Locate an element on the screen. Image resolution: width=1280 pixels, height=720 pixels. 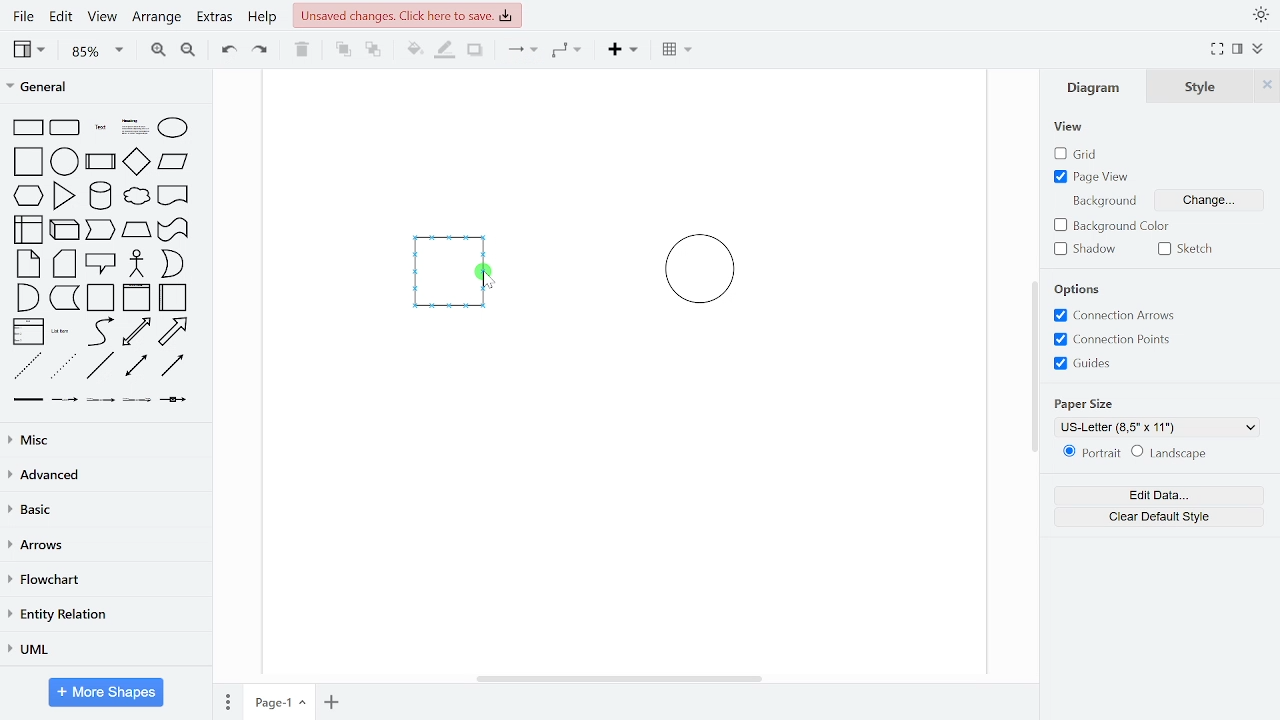
diagram is located at coordinates (1098, 86).